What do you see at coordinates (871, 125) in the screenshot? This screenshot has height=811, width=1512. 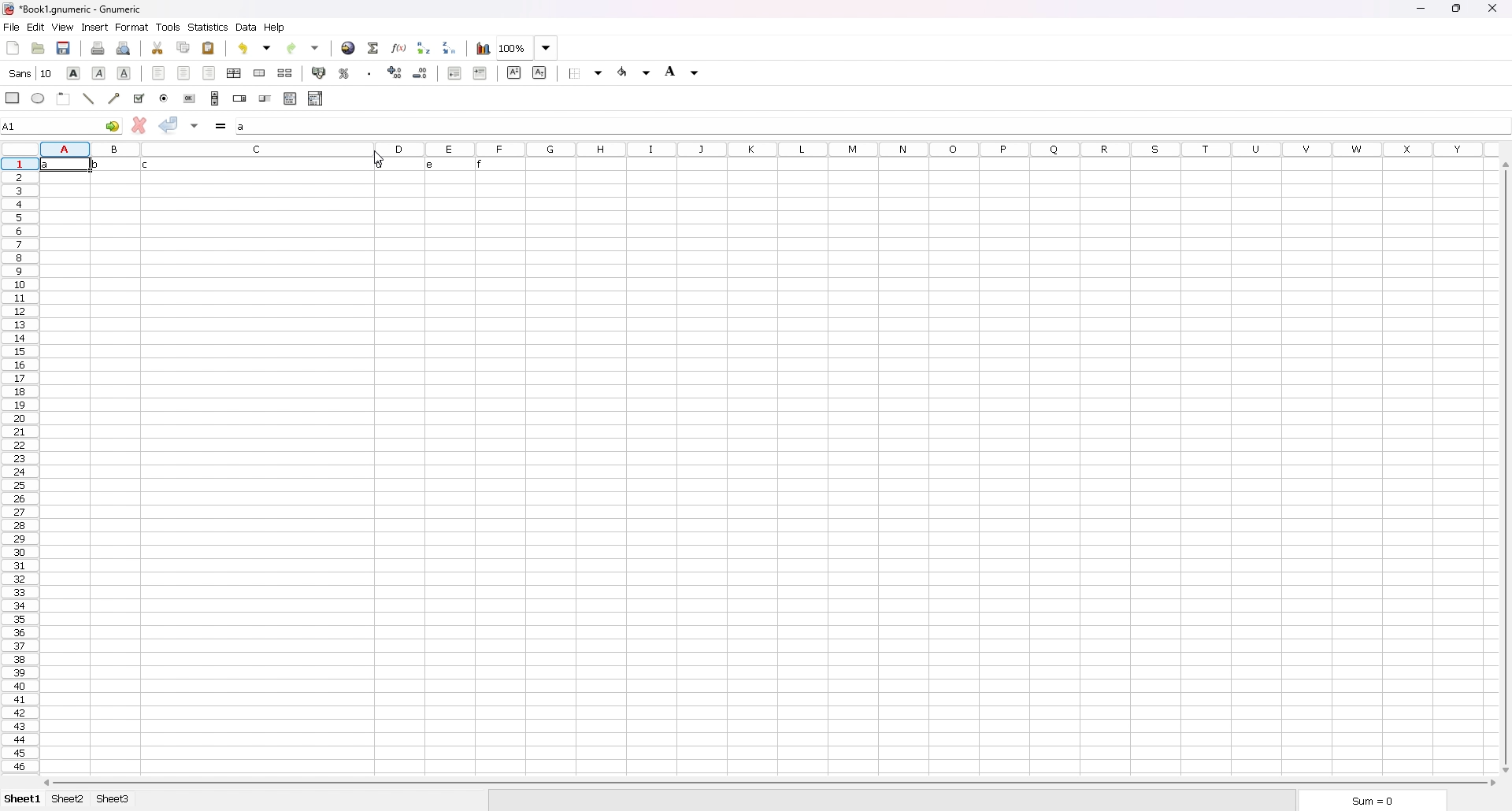 I see `cell input` at bounding box center [871, 125].